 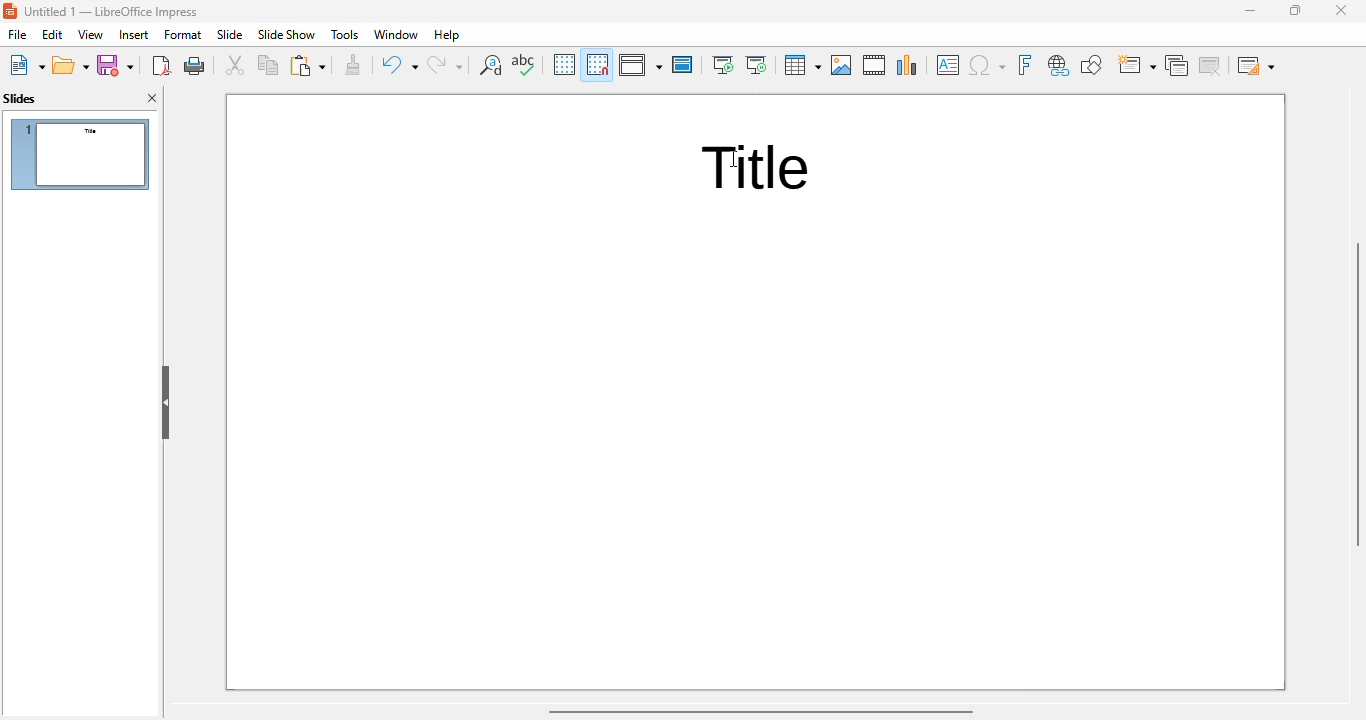 I want to click on duplicate slide, so click(x=1177, y=65).